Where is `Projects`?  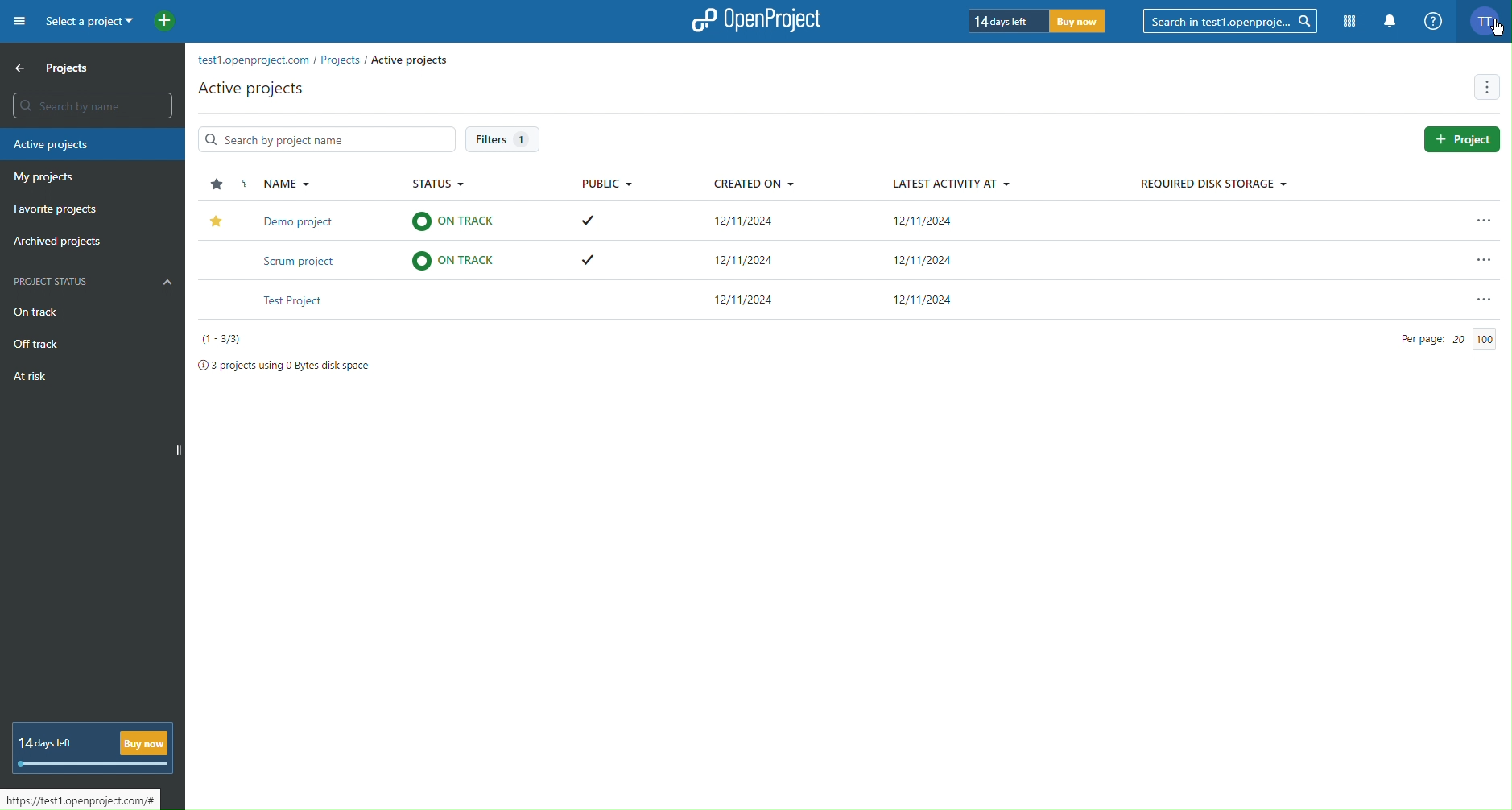 Projects is located at coordinates (61, 69).